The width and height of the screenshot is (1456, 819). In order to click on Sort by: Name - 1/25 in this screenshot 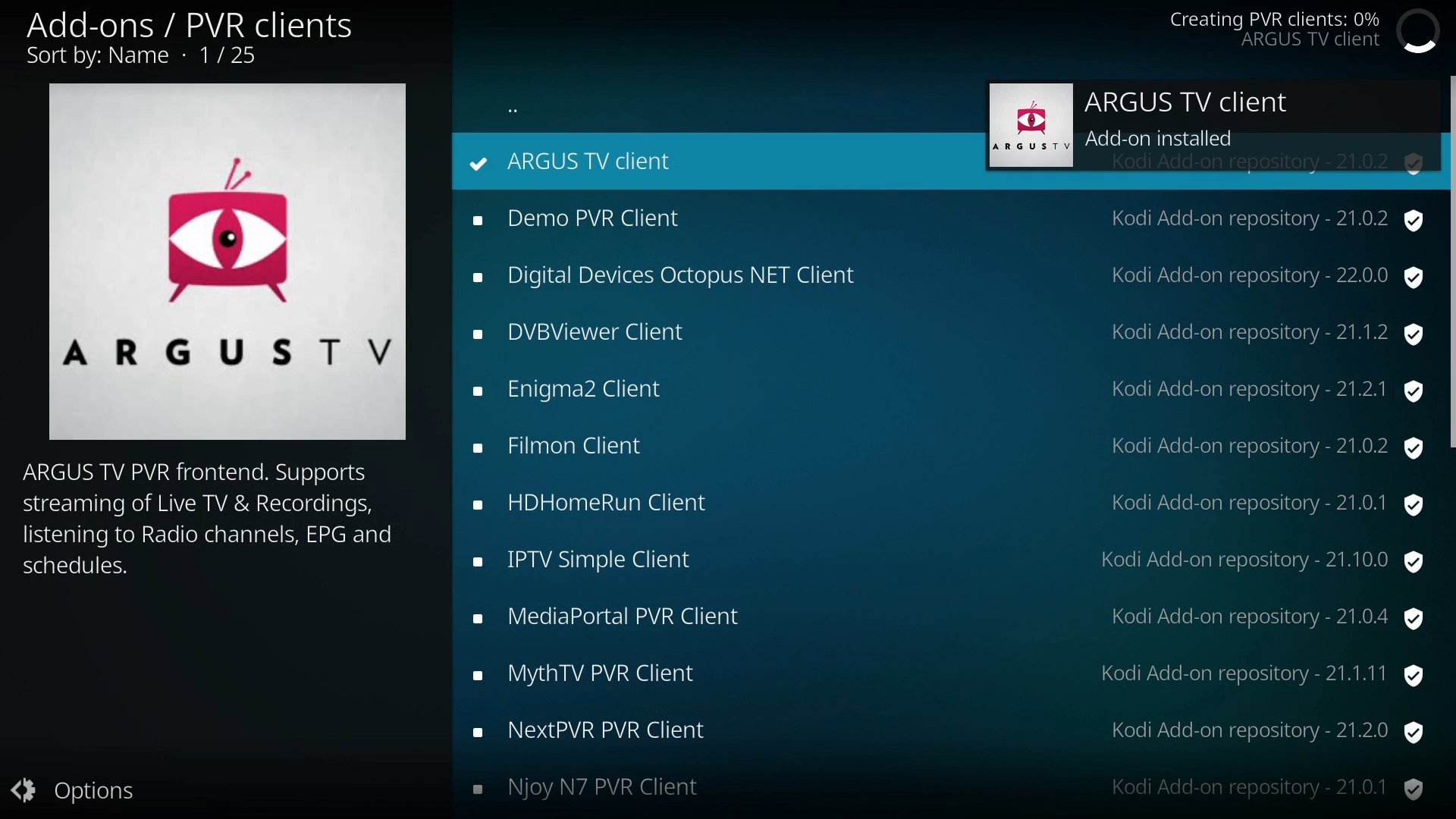, I will do `click(147, 58)`.